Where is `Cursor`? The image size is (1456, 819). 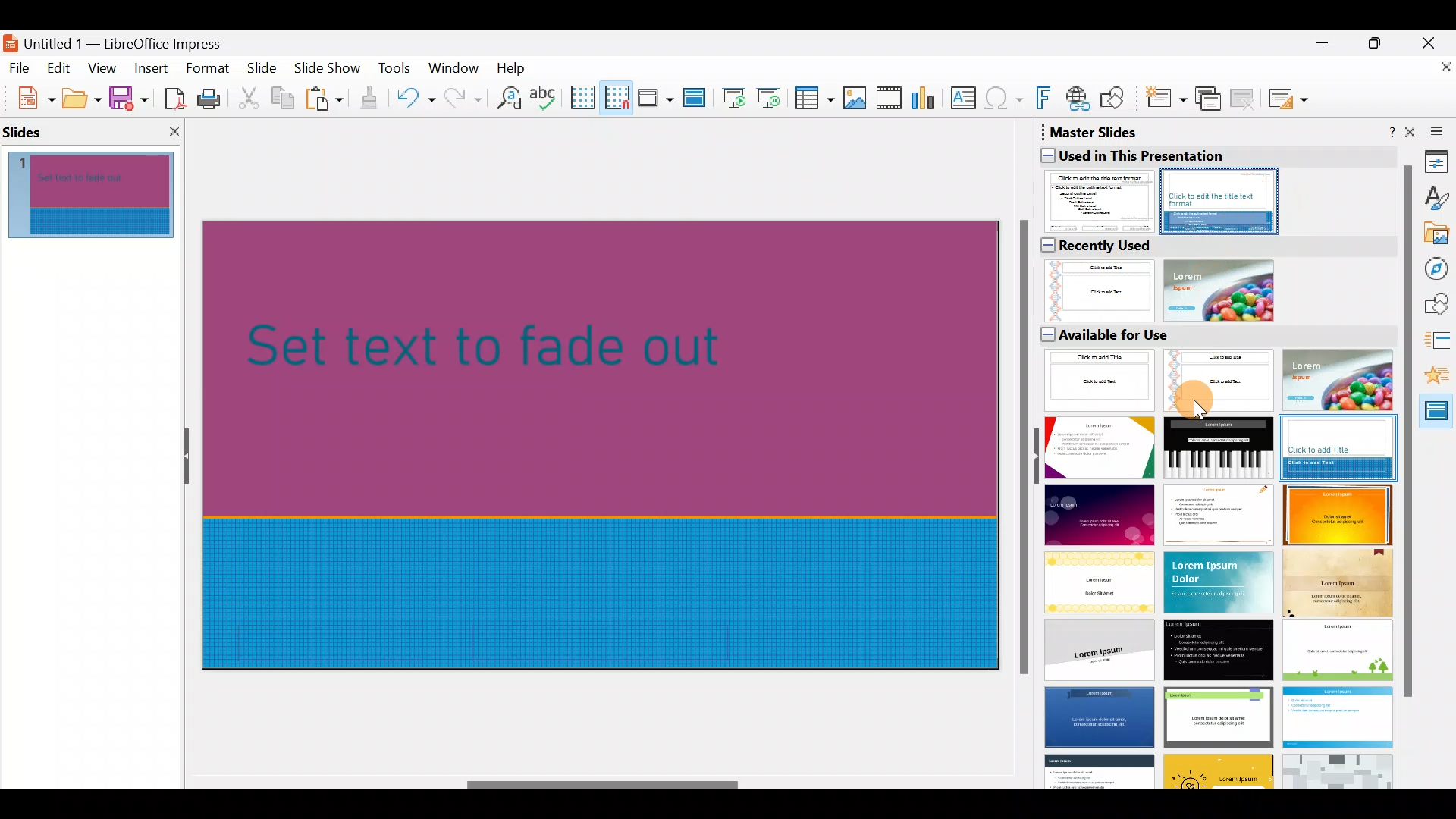
Cursor is located at coordinates (1195, 396).